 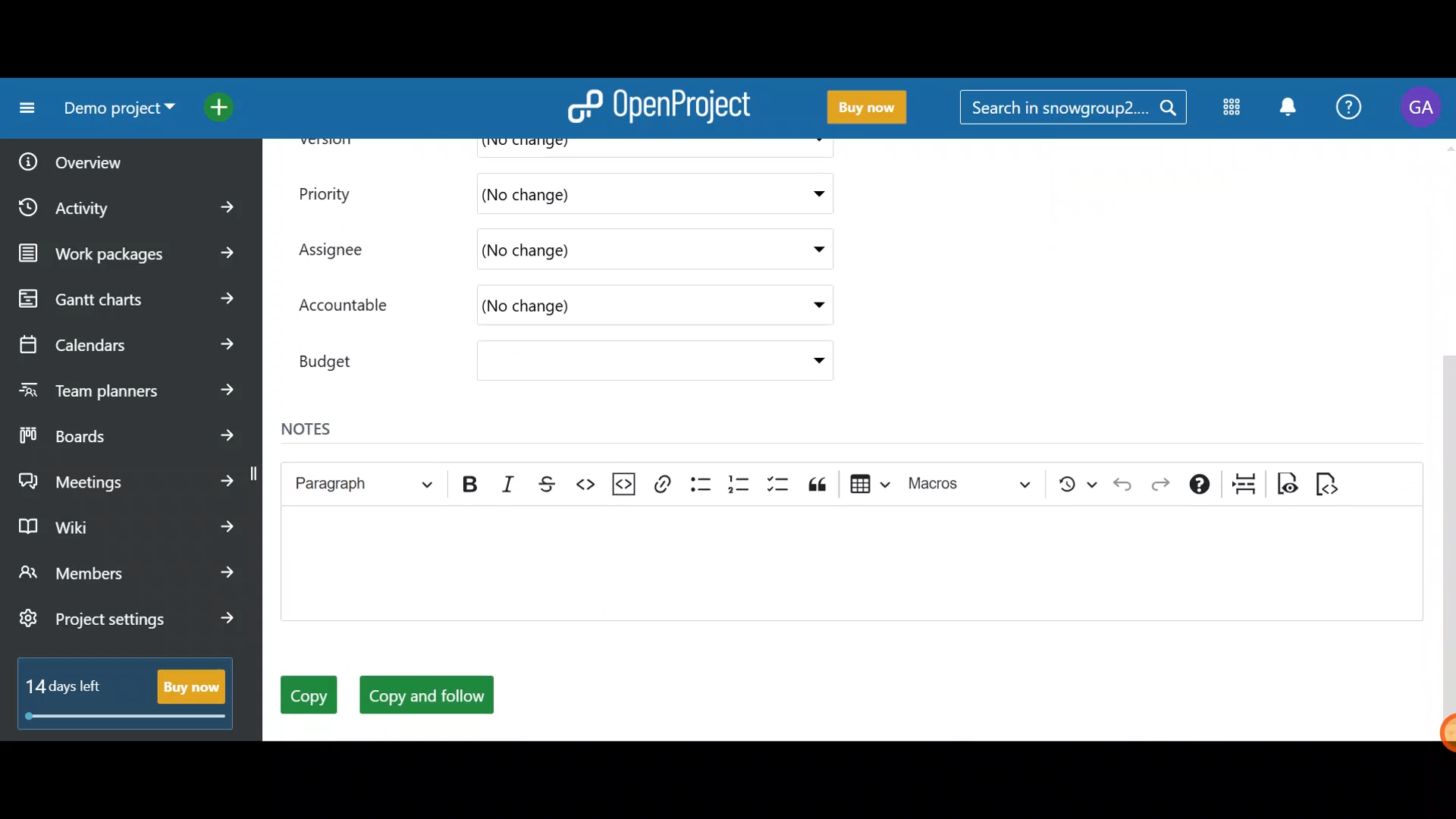 What do you see at coordinates (1241, 488) in the screenshot?
I see `Page break` at bounding box center [1241, 488].